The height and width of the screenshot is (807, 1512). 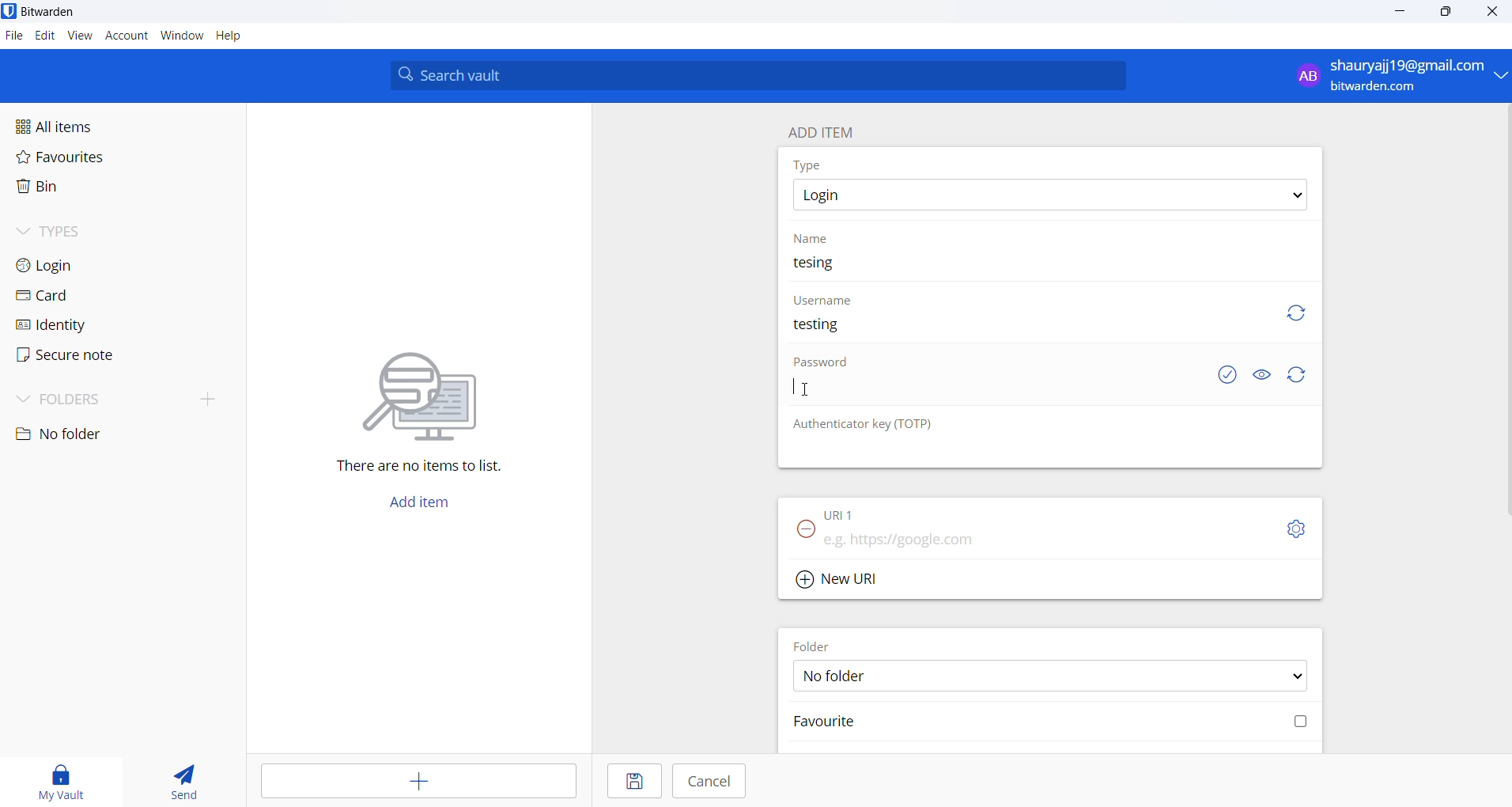 I want to click on login, so click(x=71, y=264).